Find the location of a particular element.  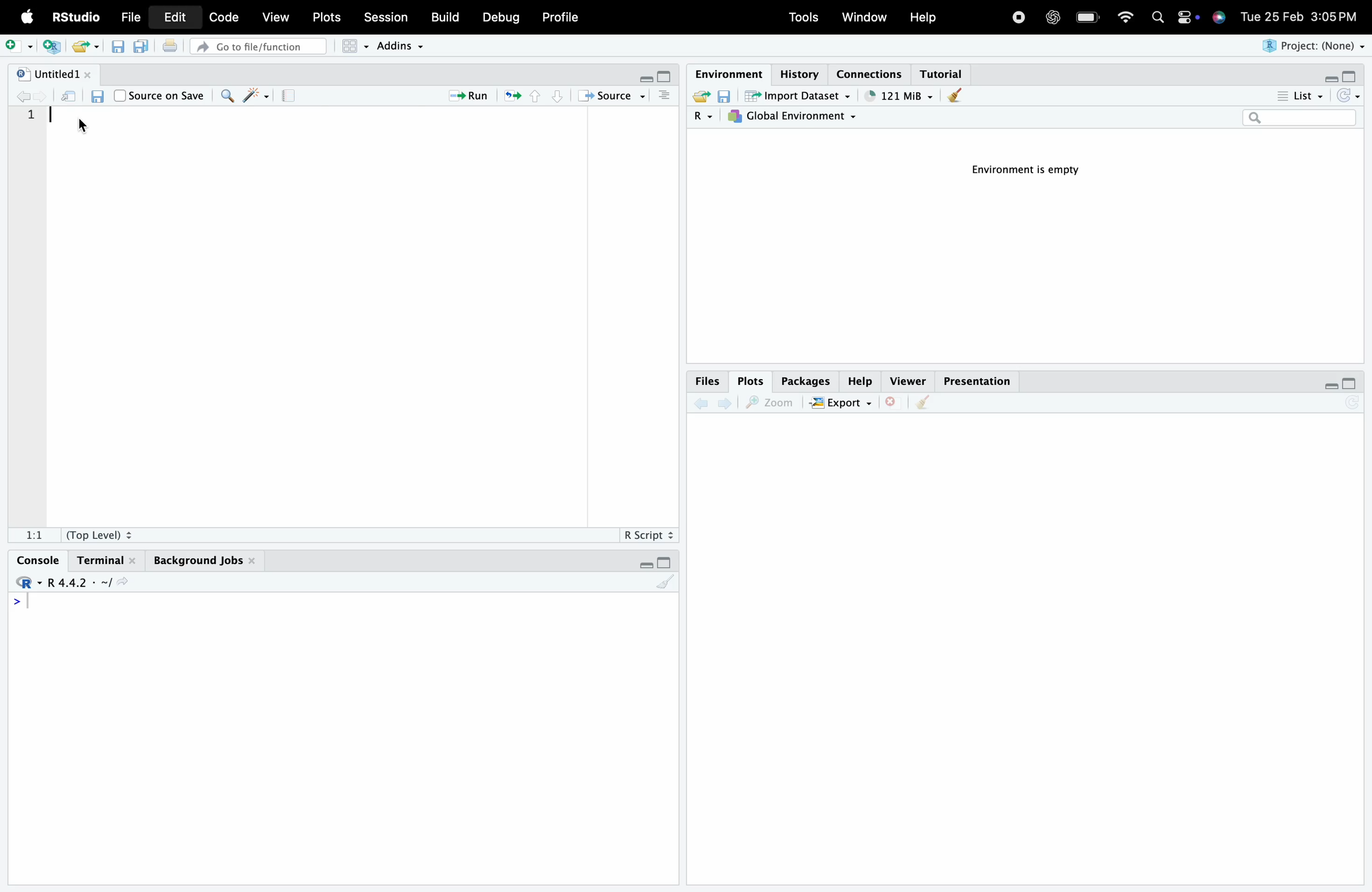

Recording is located at coordinates (1018, 18).